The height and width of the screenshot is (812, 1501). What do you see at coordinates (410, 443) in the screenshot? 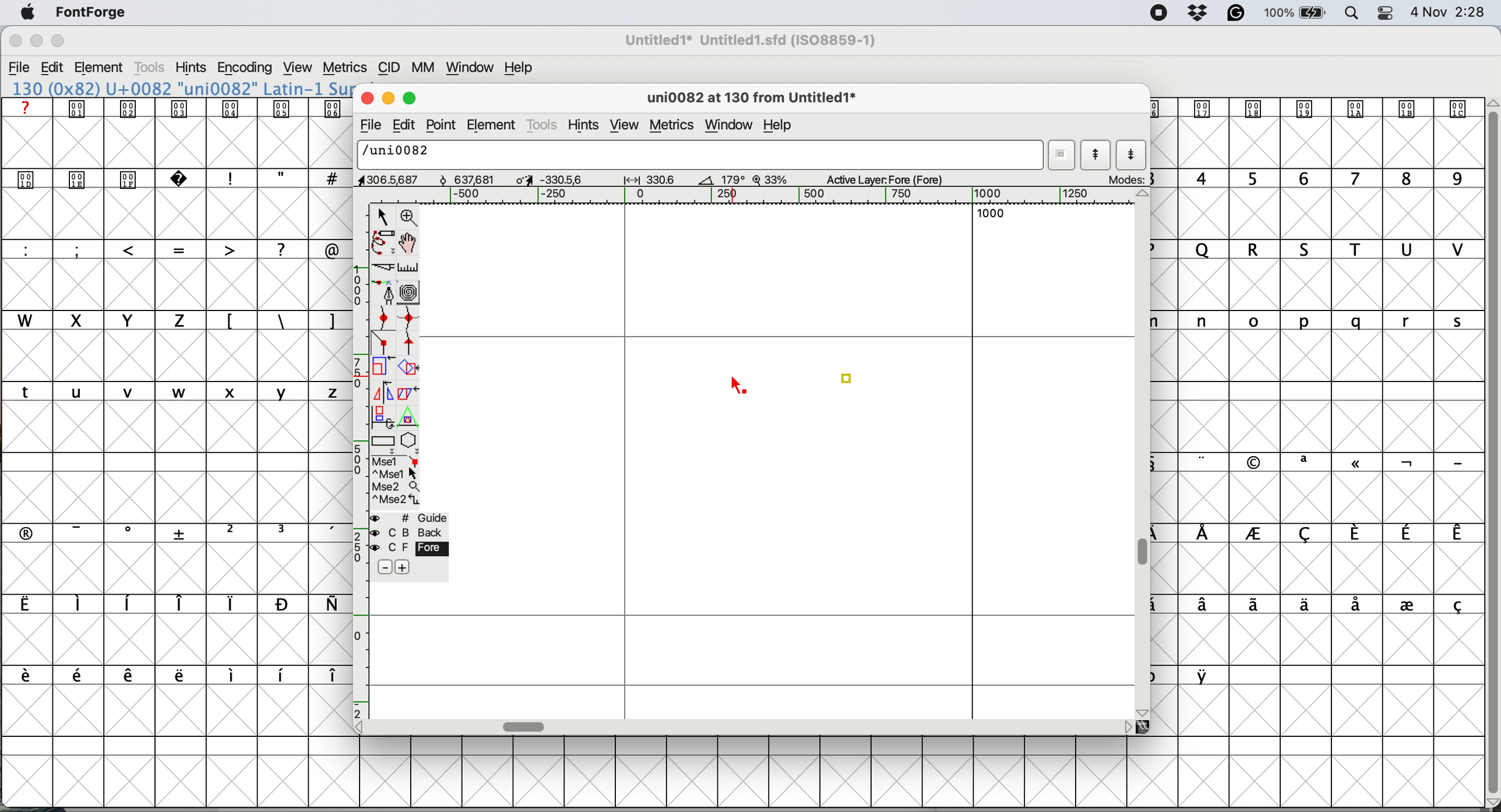
I see `stars and polygons` at bounding box center [410, 443].